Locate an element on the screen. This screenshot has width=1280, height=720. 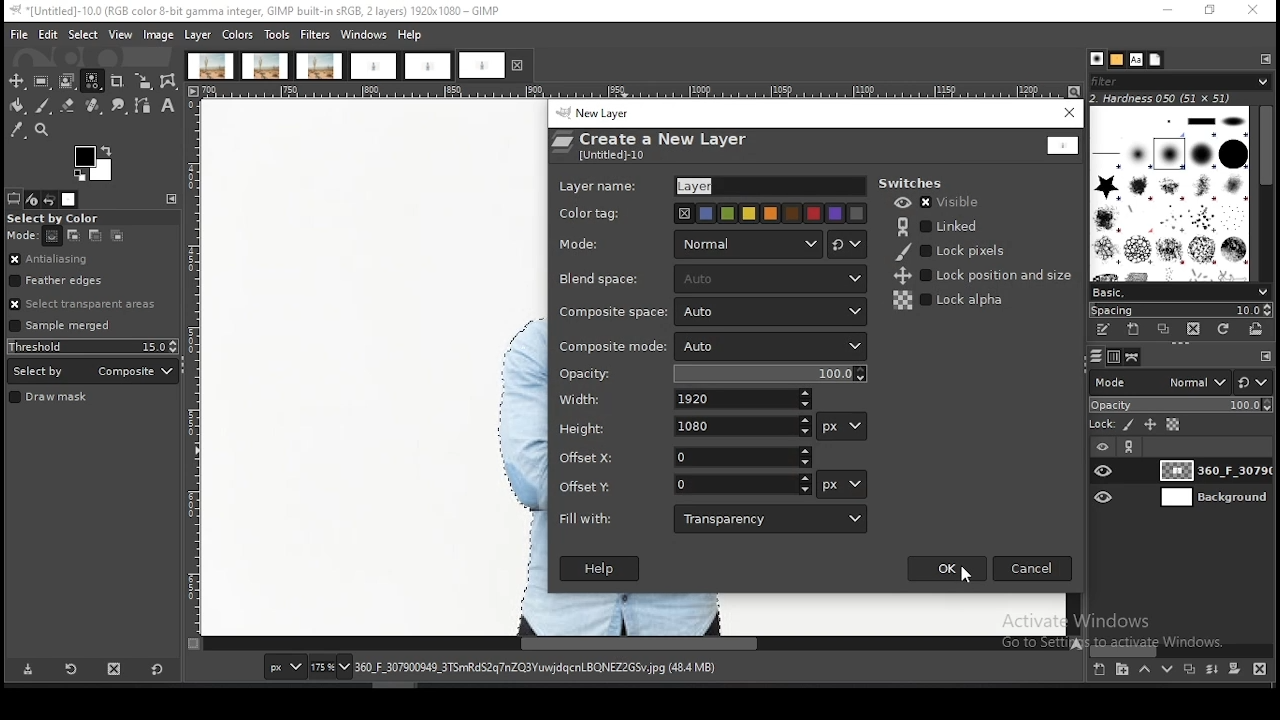
layer name is located at coordinates (599, 187).